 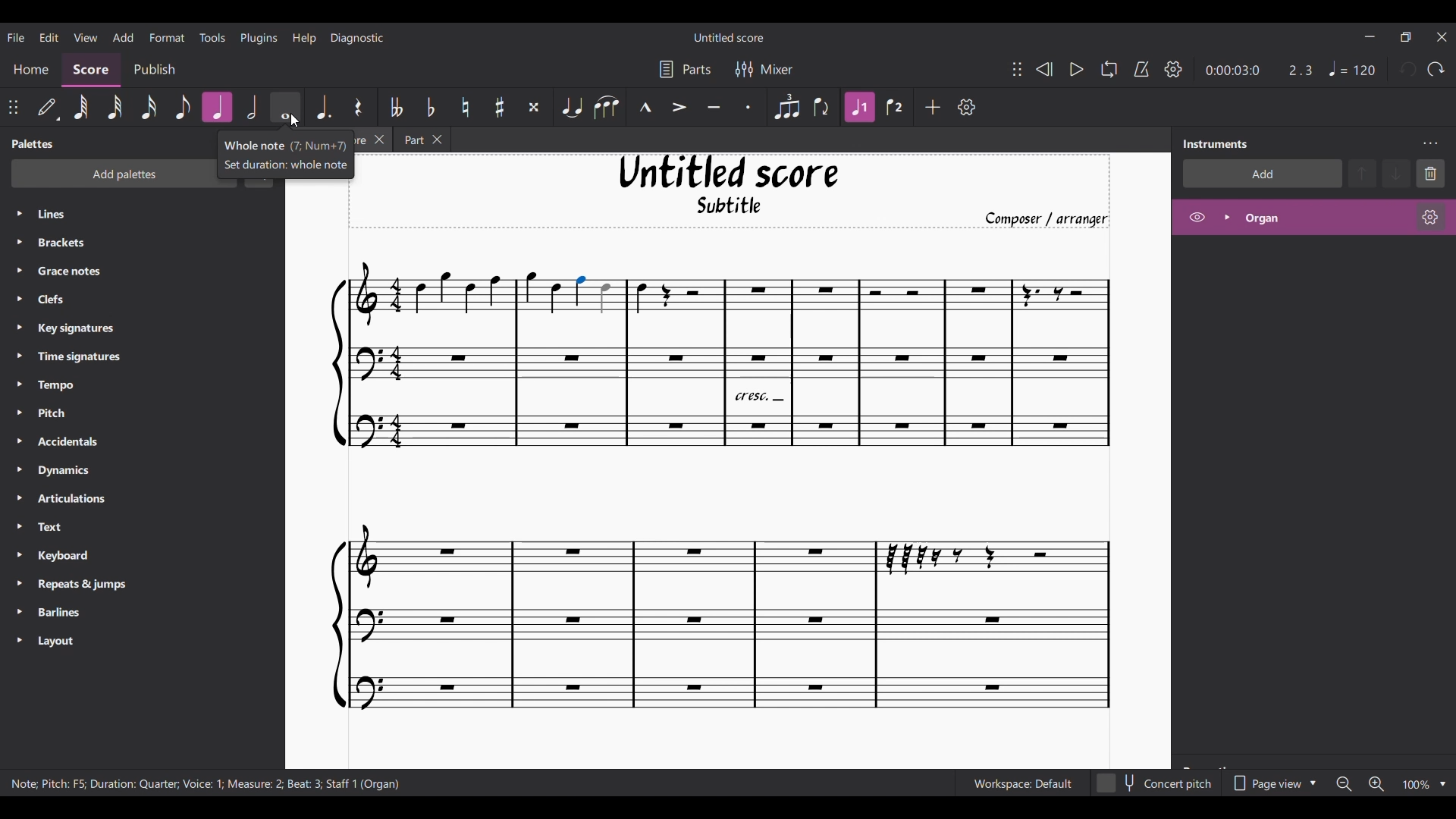 What do you see at coordinates (82, 108) in the screenshot?
I see `64th note` at bounding box center [82, 108].